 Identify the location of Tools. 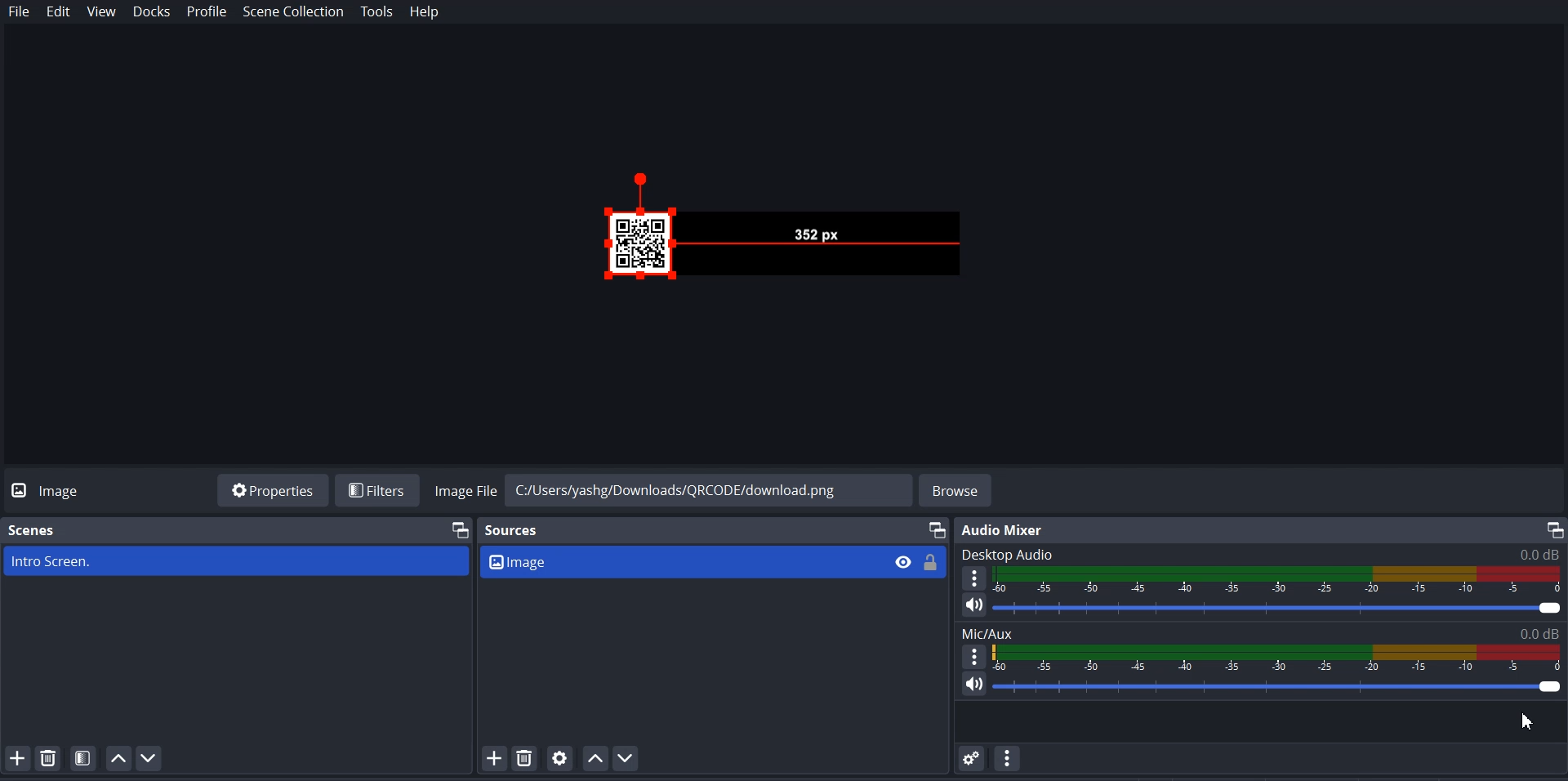
(379, 11).